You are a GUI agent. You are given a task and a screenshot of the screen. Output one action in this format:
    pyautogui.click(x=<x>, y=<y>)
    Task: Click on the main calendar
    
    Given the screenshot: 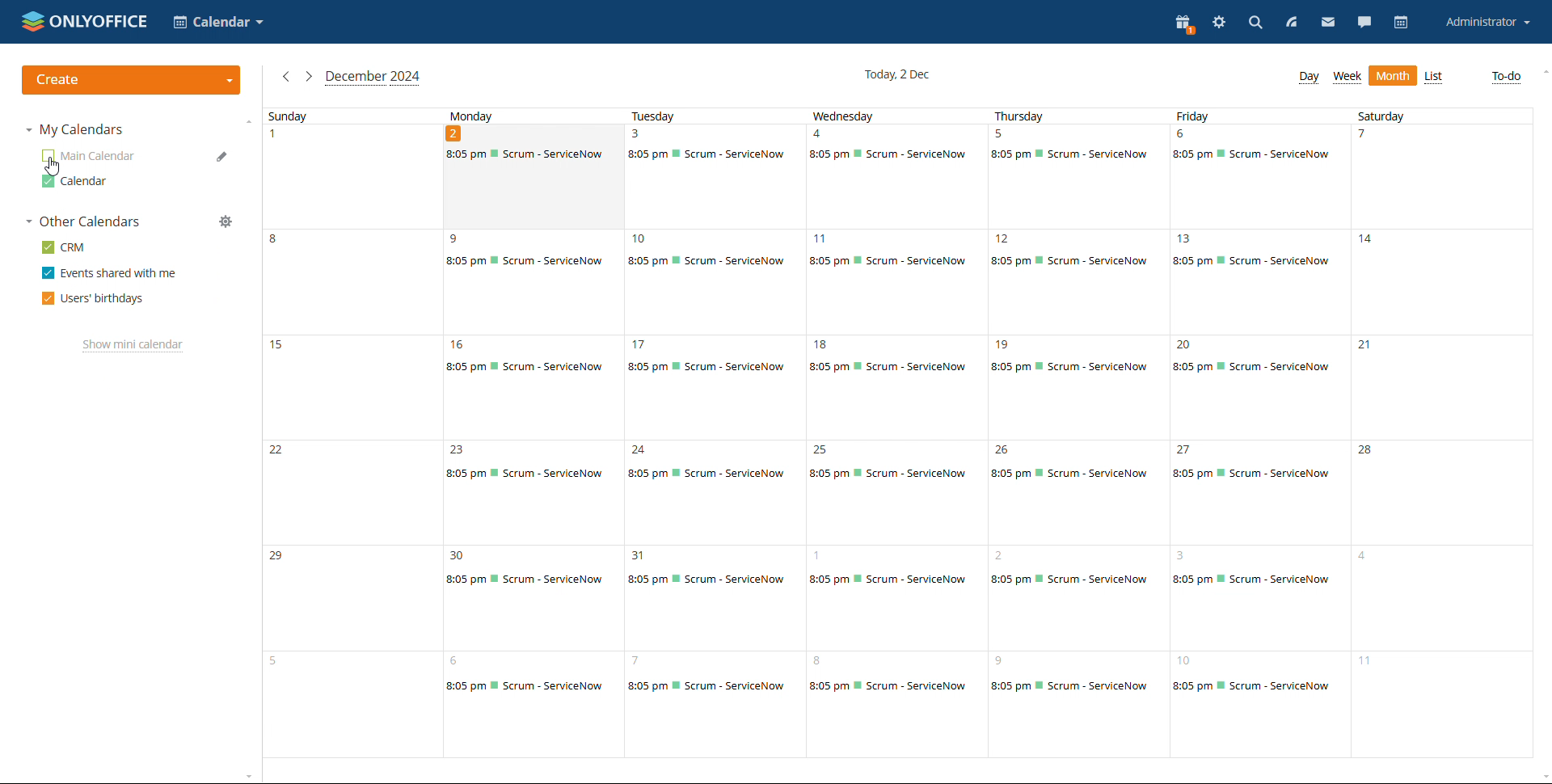 What is the action you would take?
    pyautogui.click(x=88, y=156)
    